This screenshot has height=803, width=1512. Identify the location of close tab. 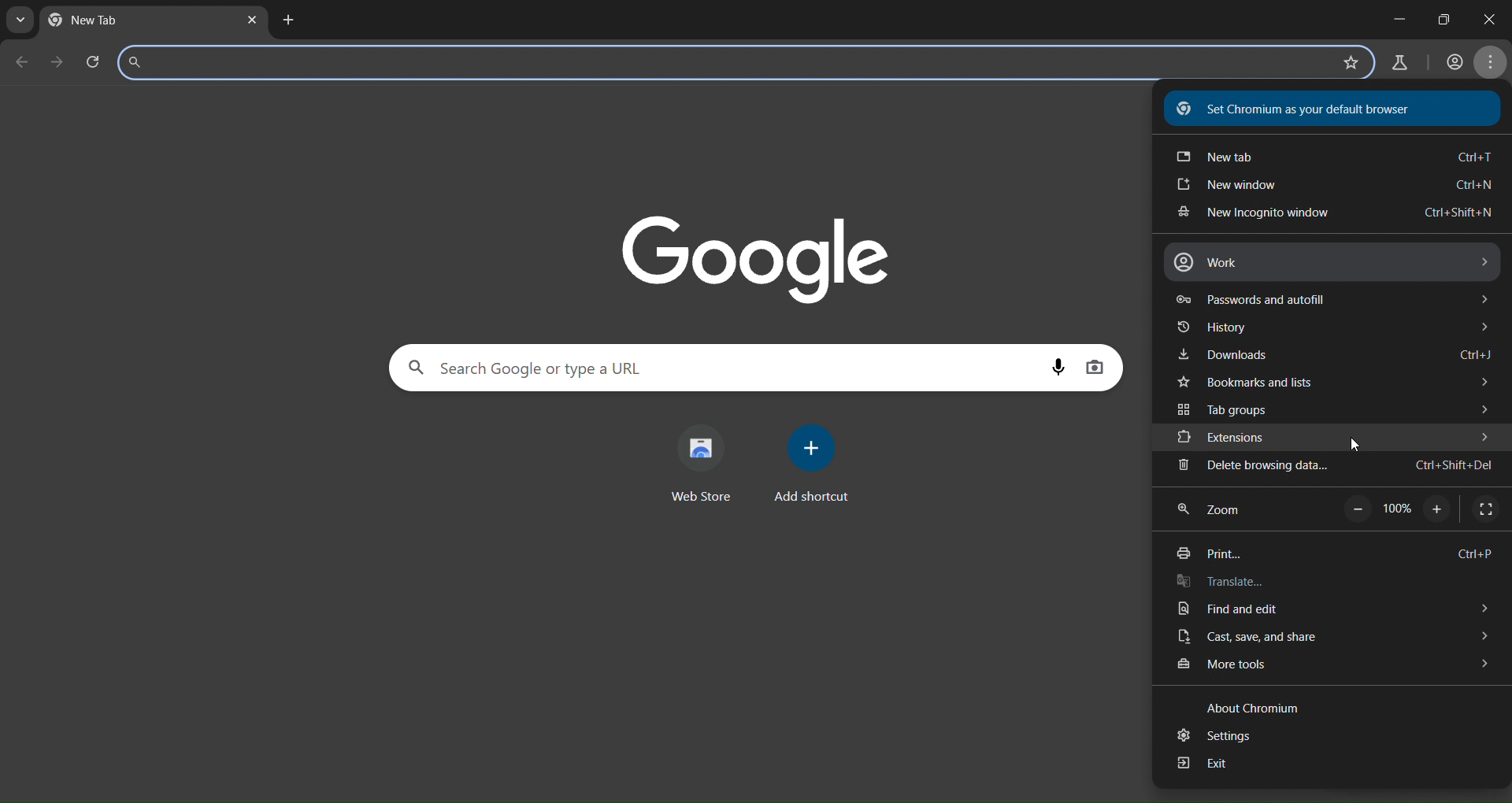
(252, 20).